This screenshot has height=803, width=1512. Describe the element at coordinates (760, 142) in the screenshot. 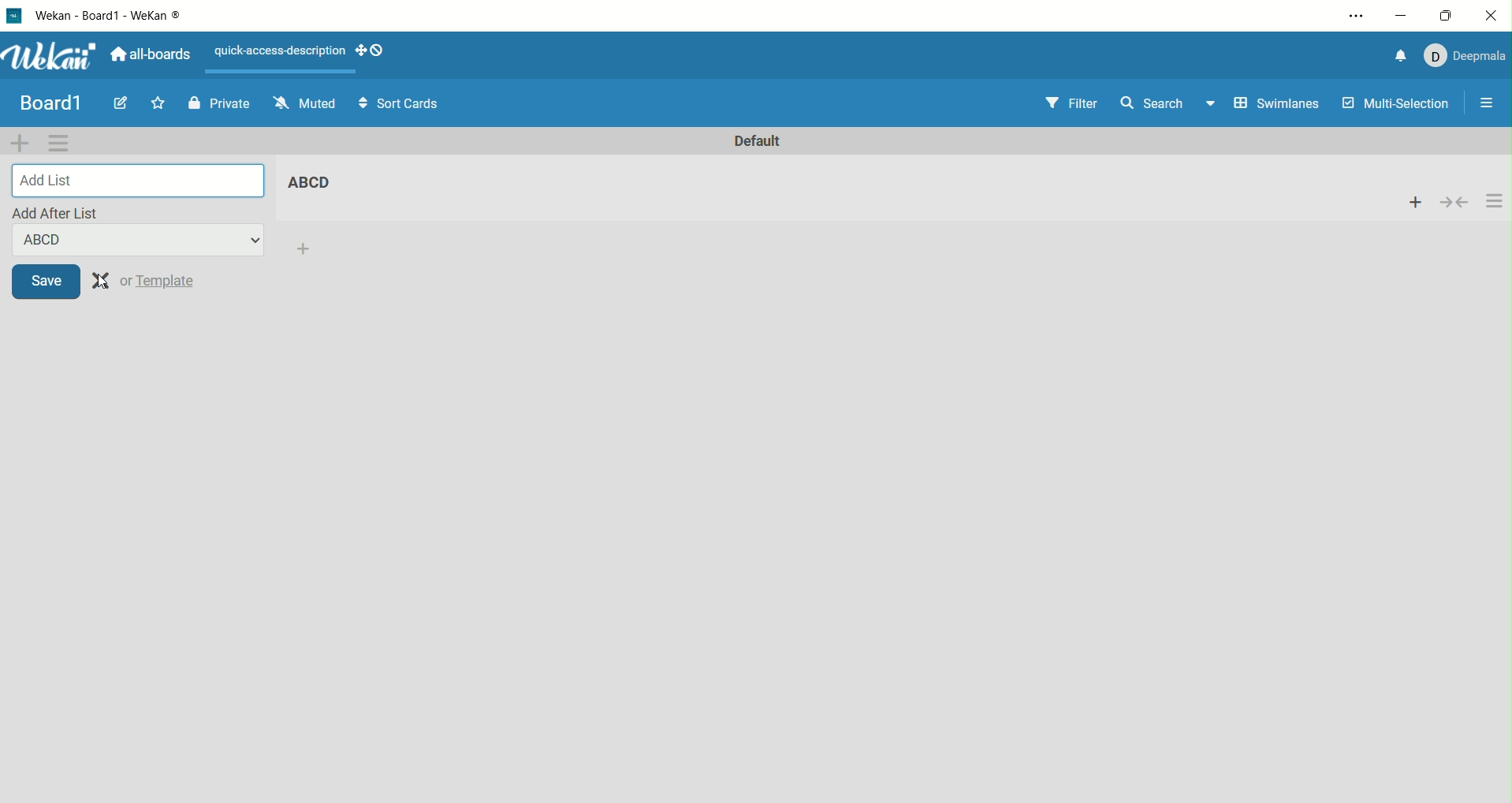

I see `default` at that location.